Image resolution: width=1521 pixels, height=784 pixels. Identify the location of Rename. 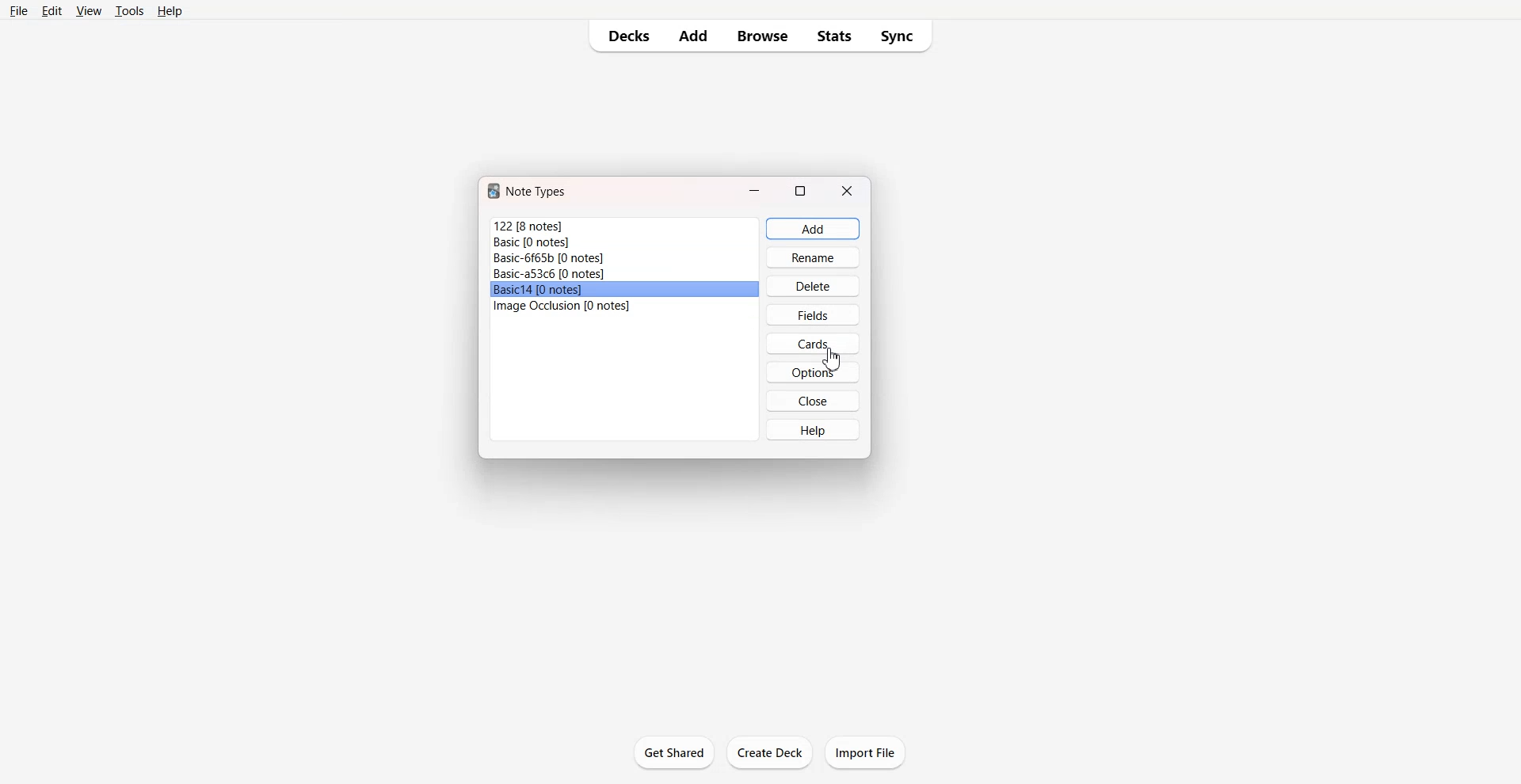
(814, 257).